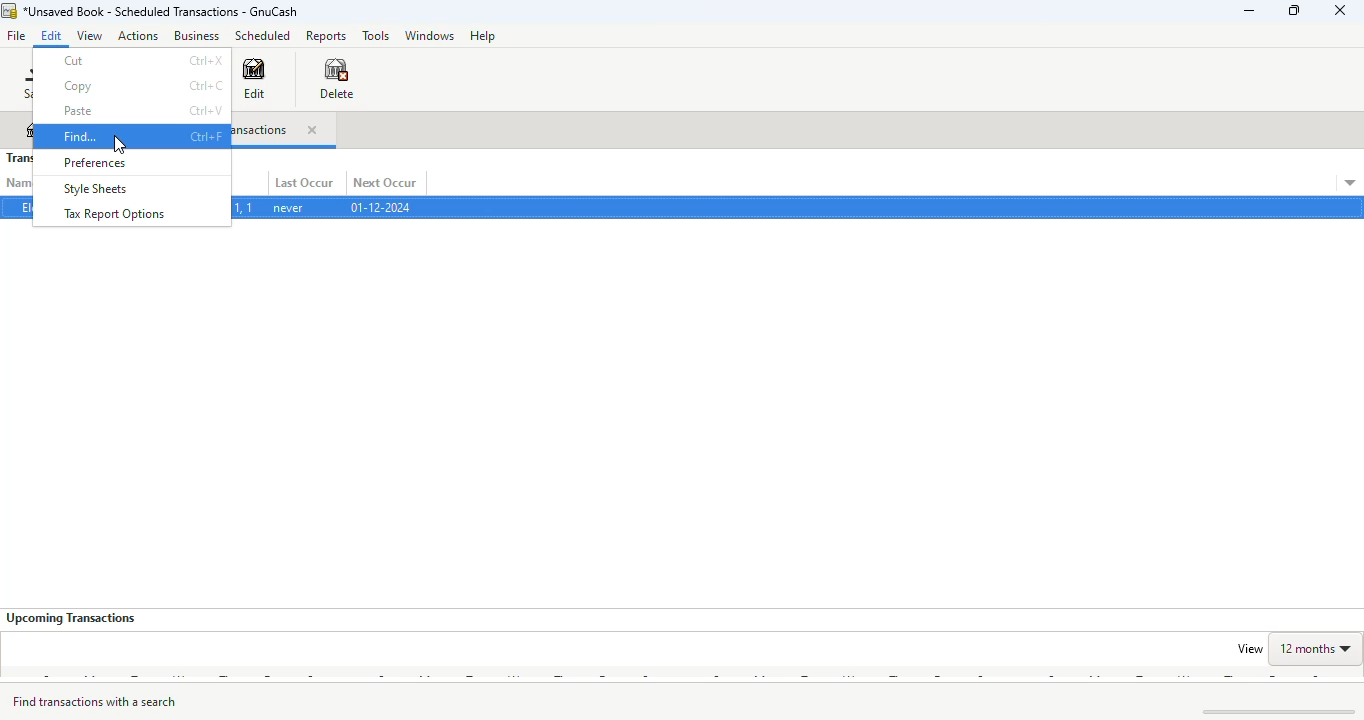  What do you see at coordinates (52, 35) in the screenshot?
I see `edit` at bounding box center [52, 35].